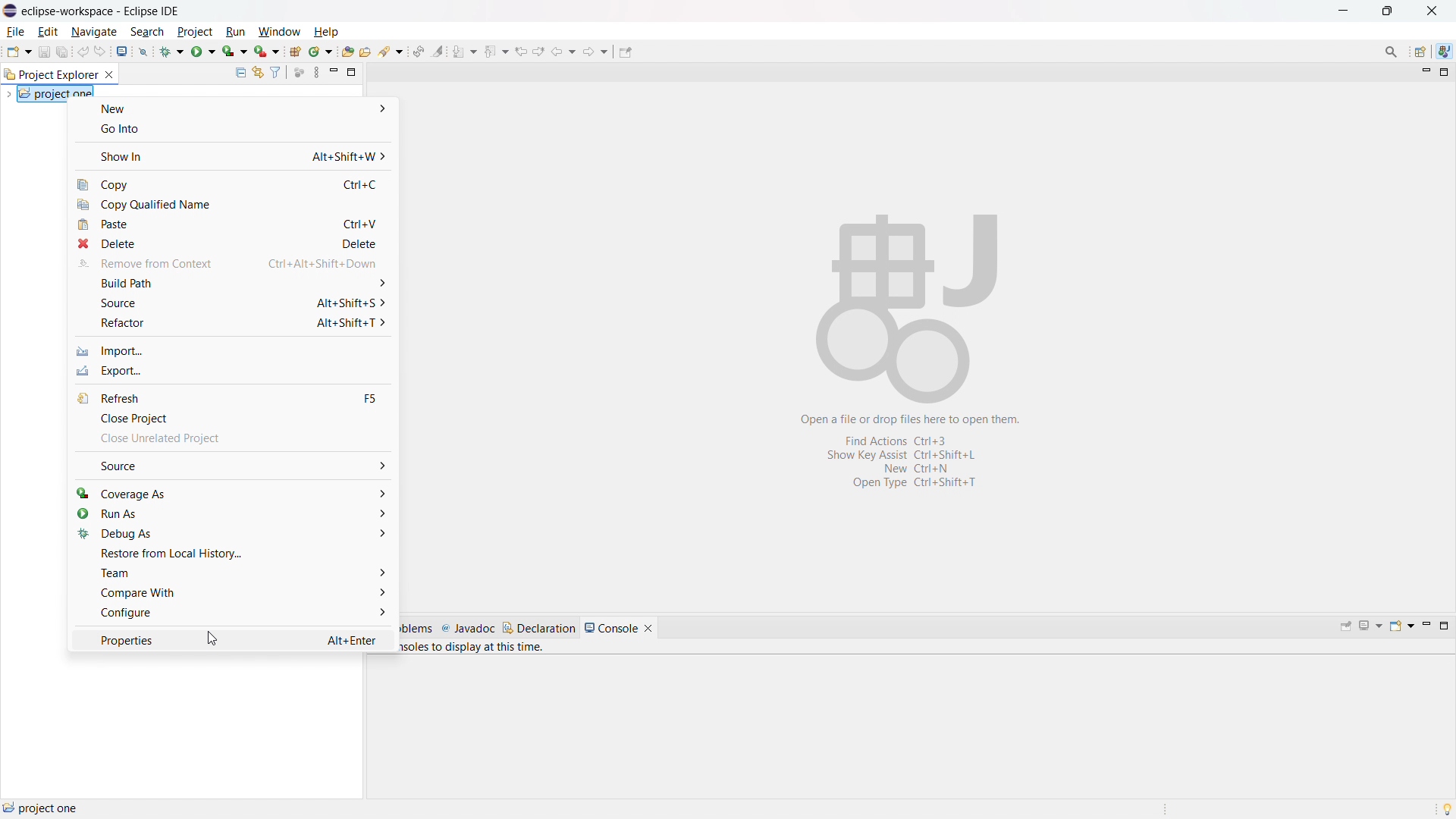 The width and height of the screenshot is (1456, 819). I want to click on logo, so click(11, 11).